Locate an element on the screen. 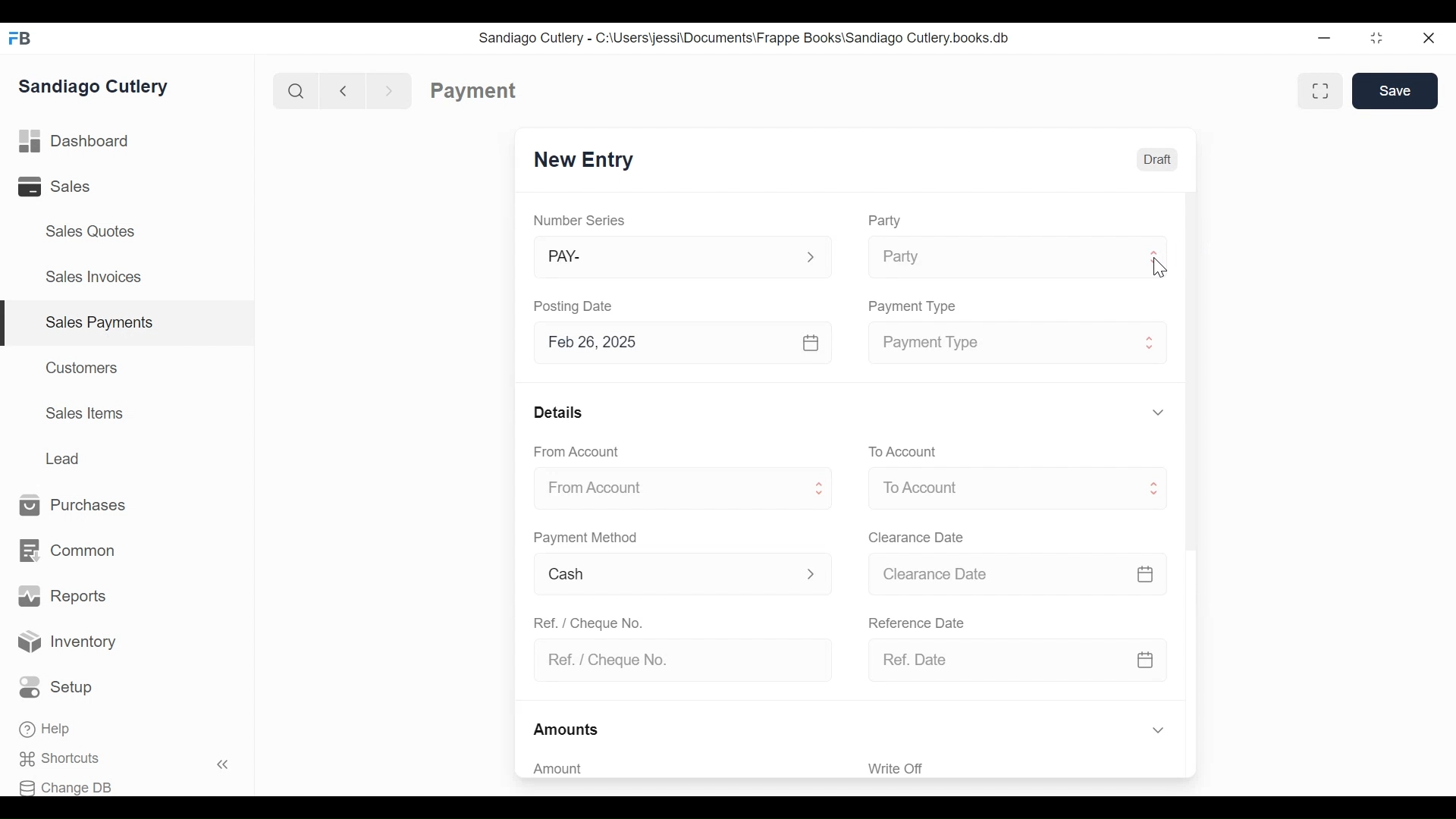 This screenshot has width=1456, height=819. Restore is located at coordinates (1376, 39).